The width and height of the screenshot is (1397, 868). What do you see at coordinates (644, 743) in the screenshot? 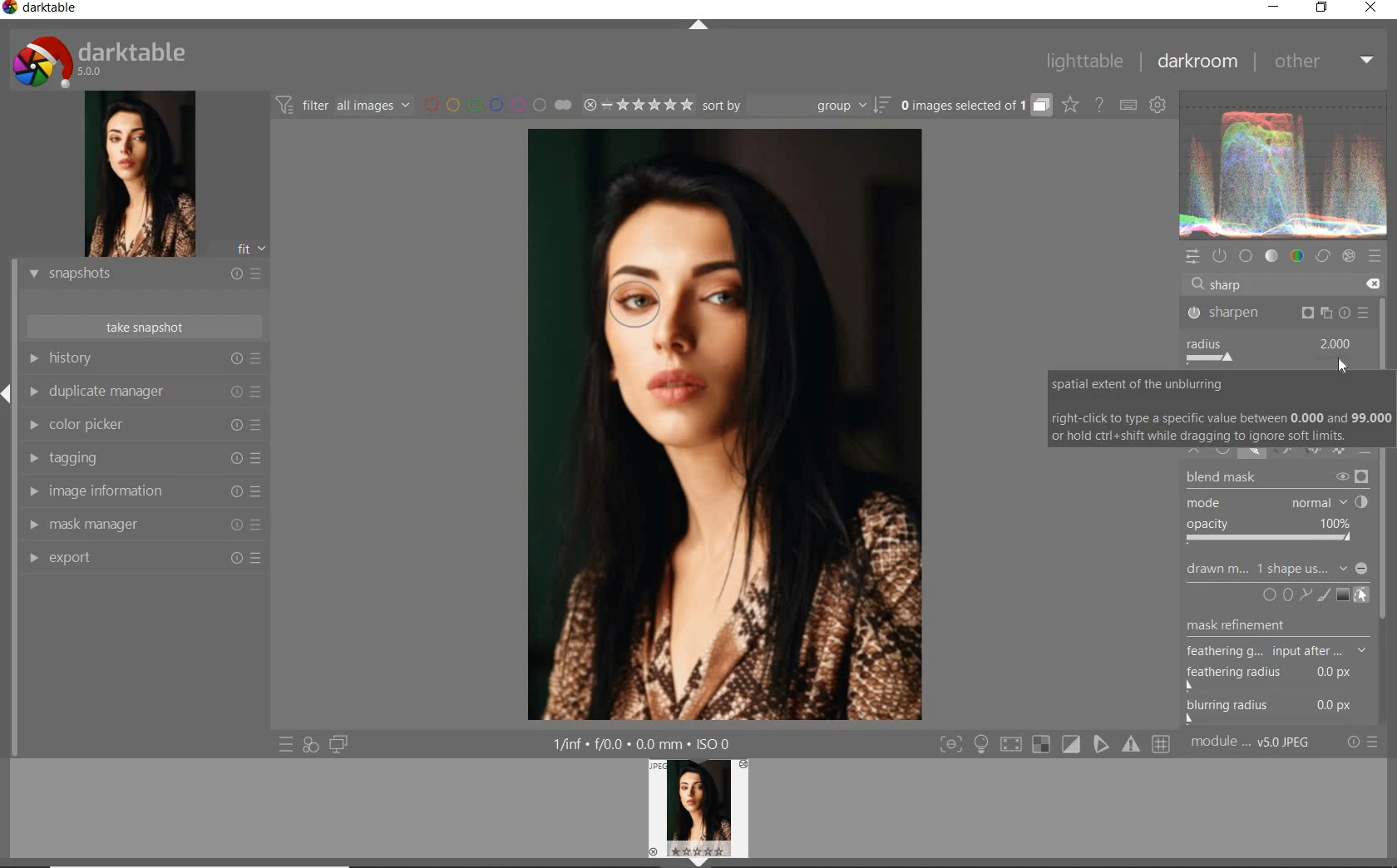
I see `1/inf*f/0.0 mm*ISO 0` at bounding box center [644, 743].